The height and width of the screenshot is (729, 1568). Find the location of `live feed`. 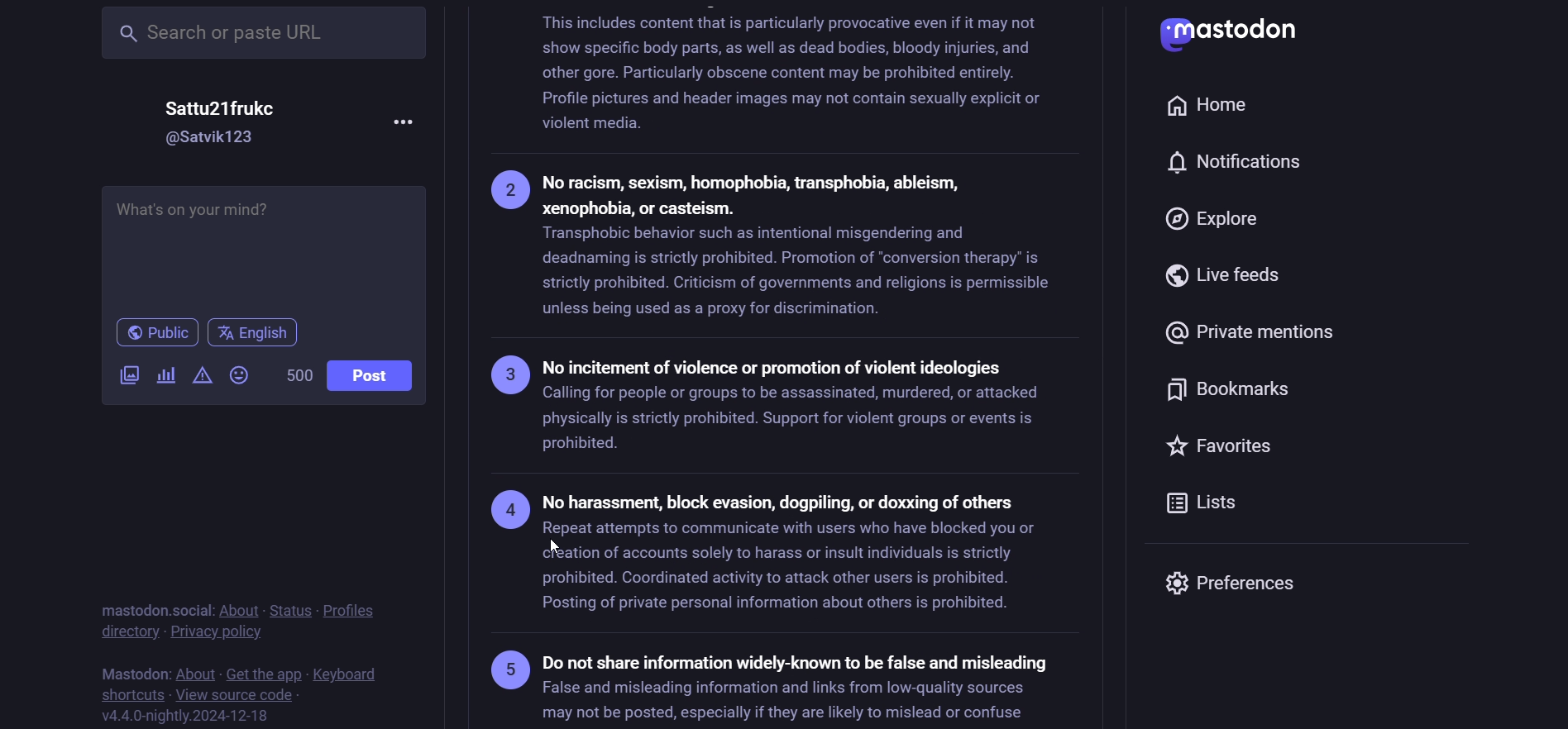

live feed is located at coordinates (1225, 275).